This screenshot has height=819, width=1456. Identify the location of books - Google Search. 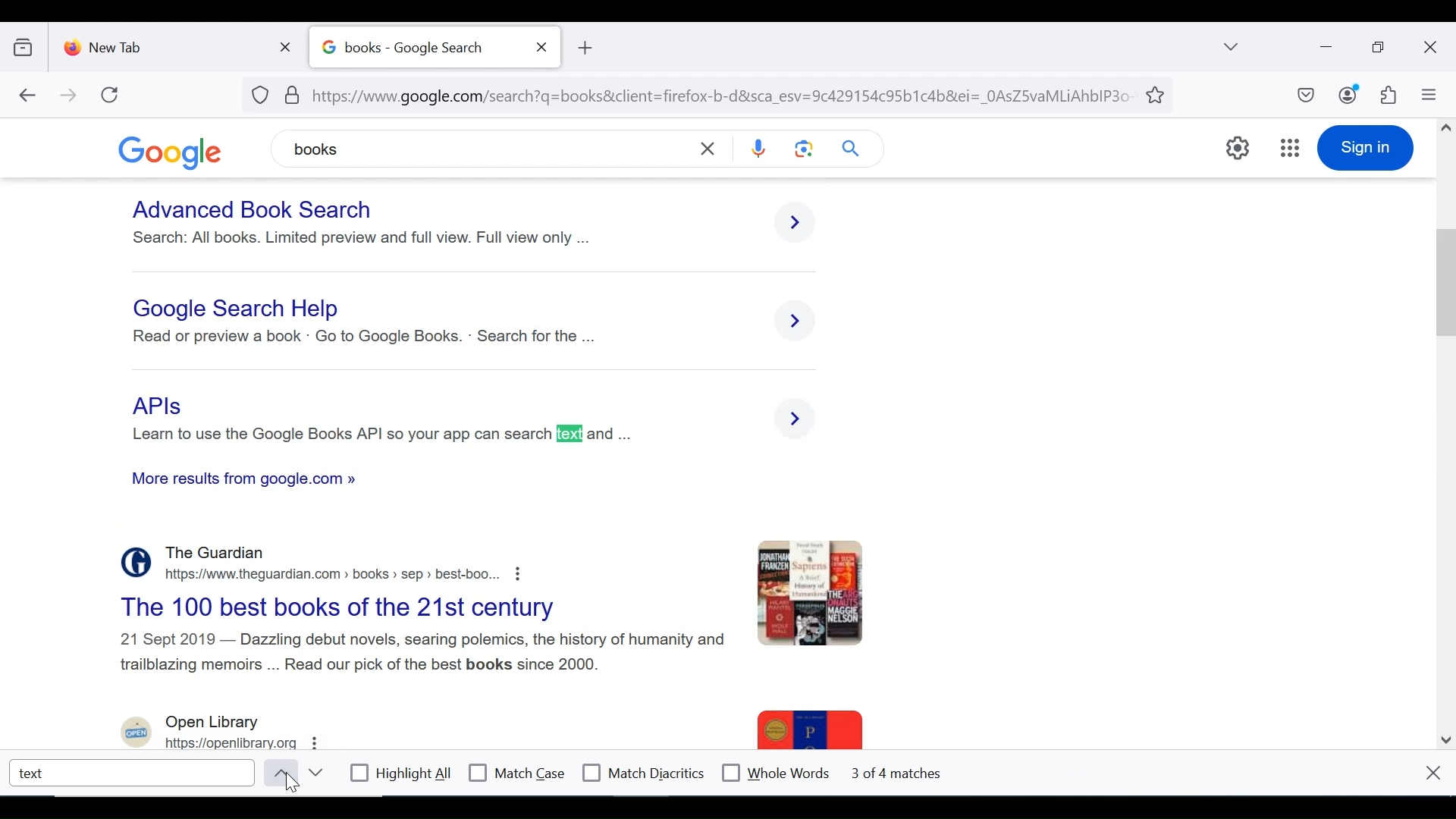
(418, 48).